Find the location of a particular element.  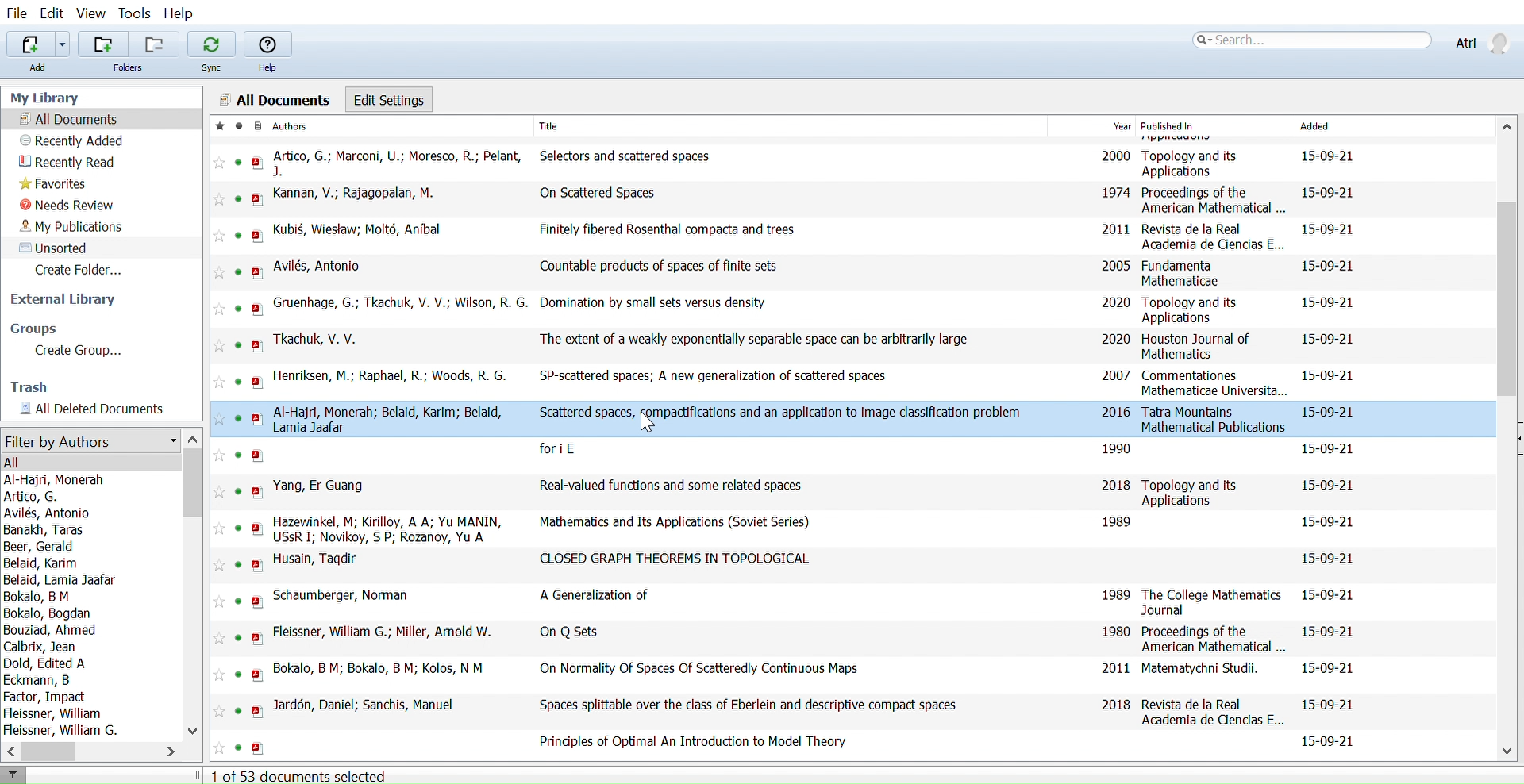

Edit is located at coordinates (51, 13).